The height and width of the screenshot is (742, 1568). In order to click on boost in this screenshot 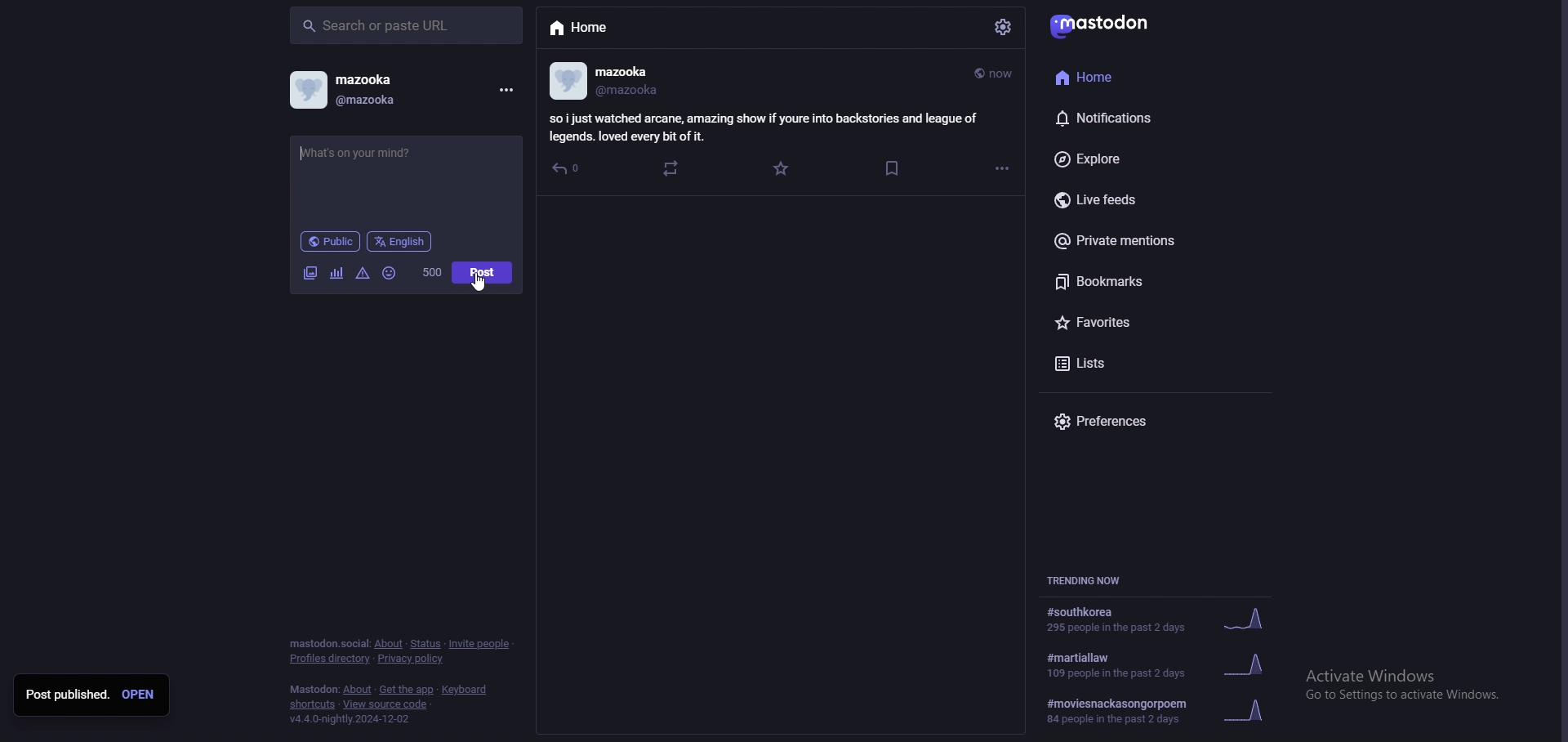, I will do `click(671, 168)`.